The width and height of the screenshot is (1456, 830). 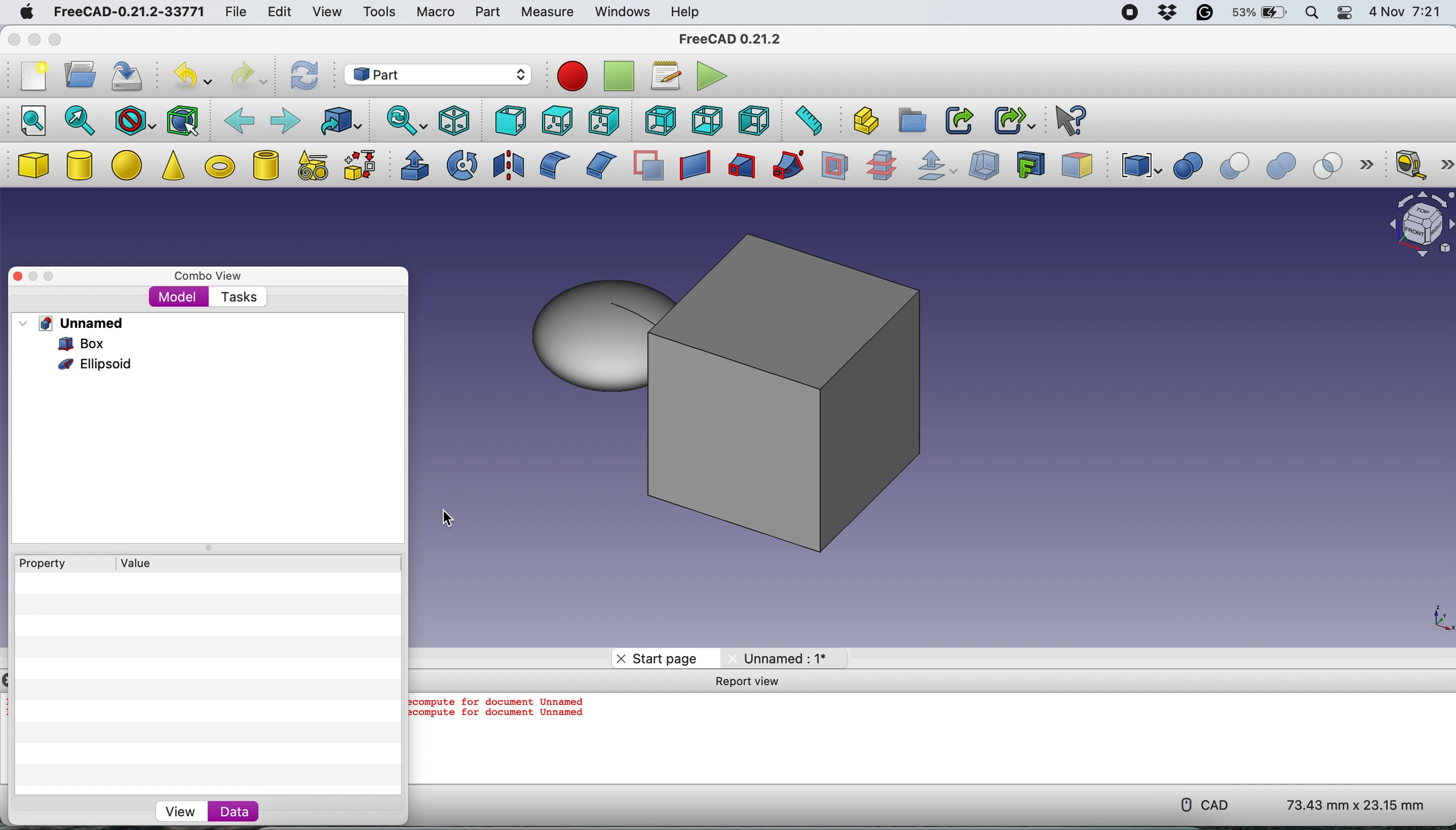 I want to click on tools, so click(x=382, y=15).